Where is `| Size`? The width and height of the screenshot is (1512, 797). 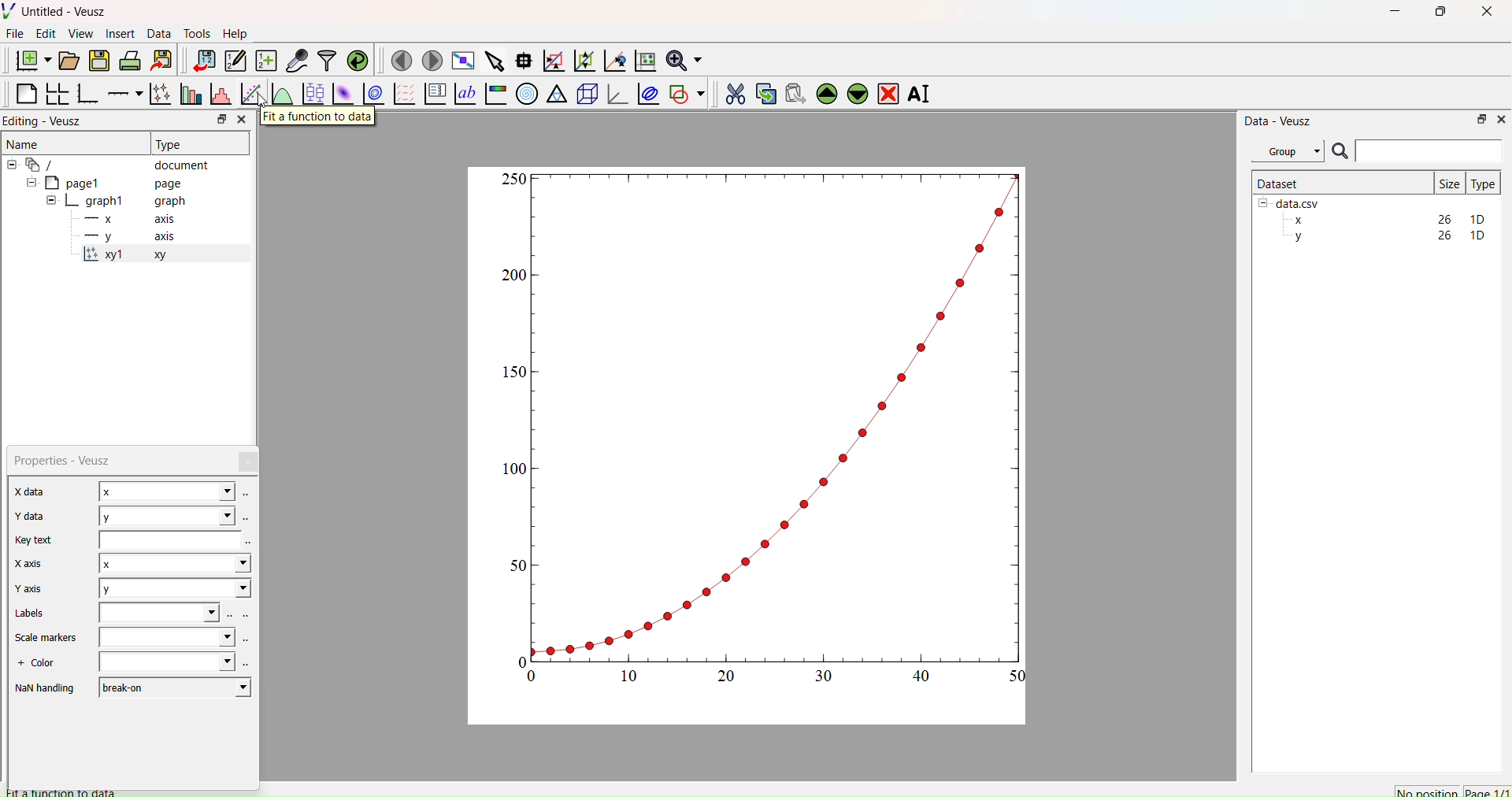 | Size is located at coordinates (1449, 182).